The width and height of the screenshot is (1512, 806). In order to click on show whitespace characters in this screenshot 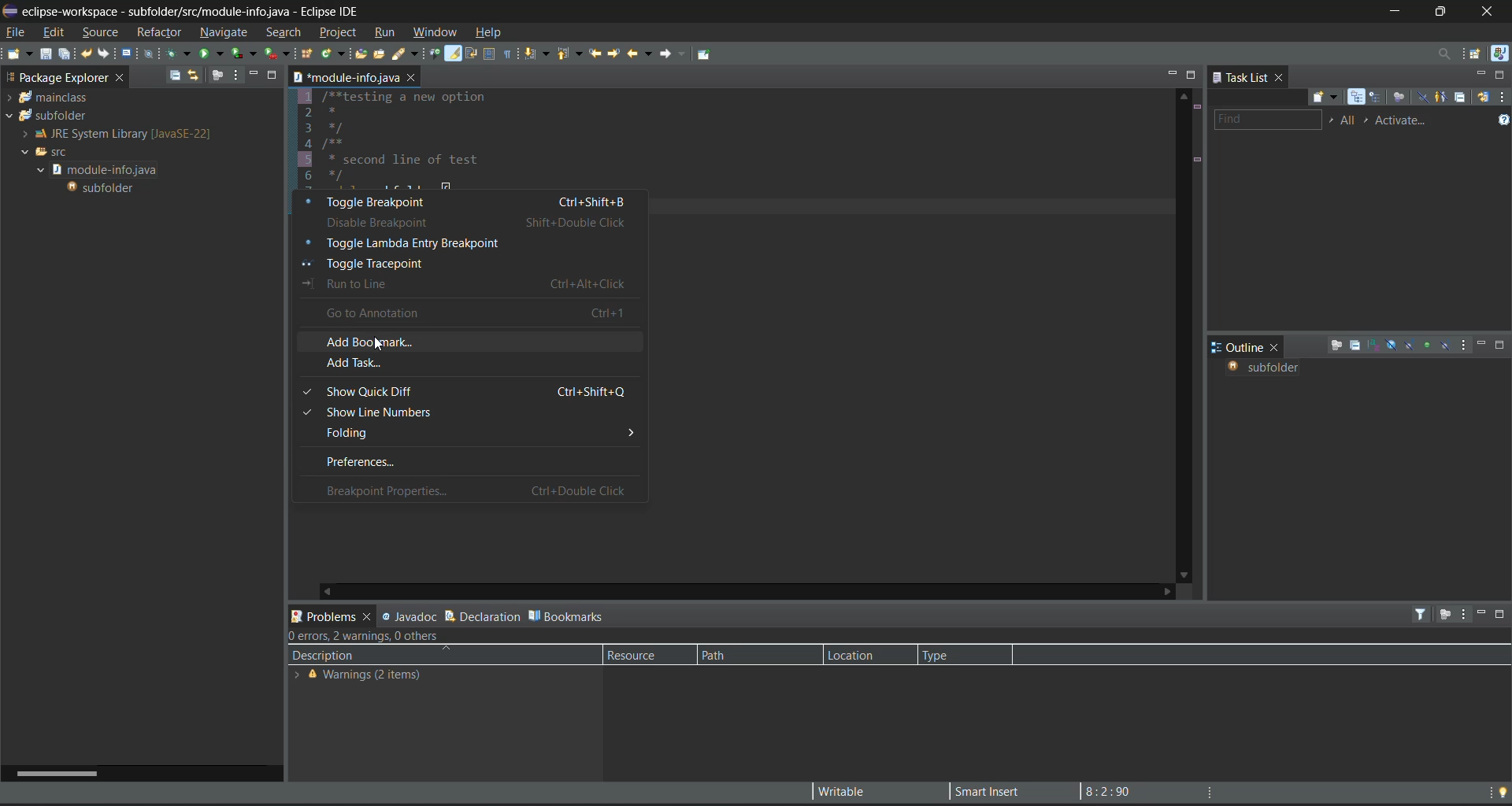, I will do `click(509, 54)`.